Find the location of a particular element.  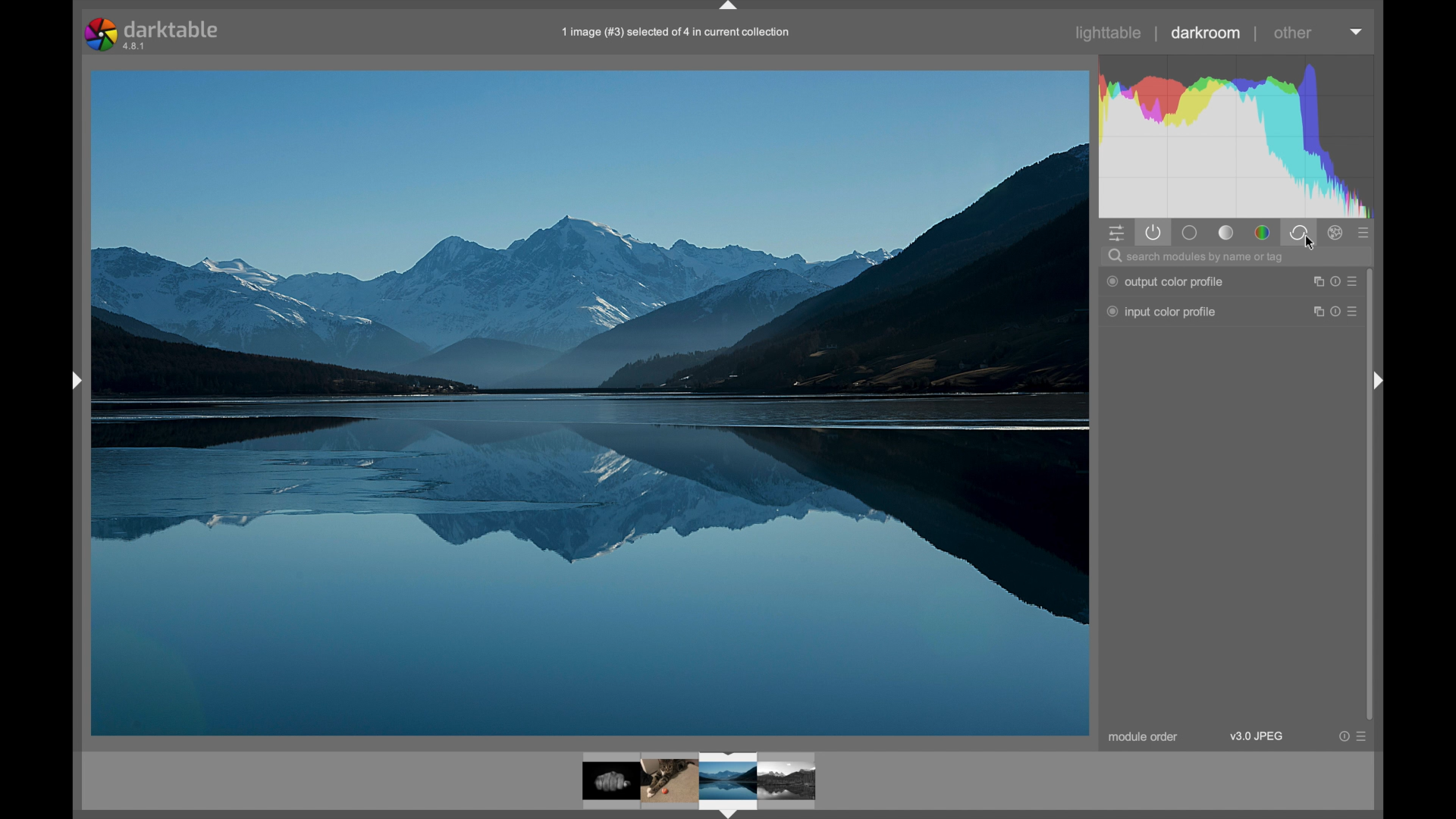

dropdown is located at coordinates (1357, 32).